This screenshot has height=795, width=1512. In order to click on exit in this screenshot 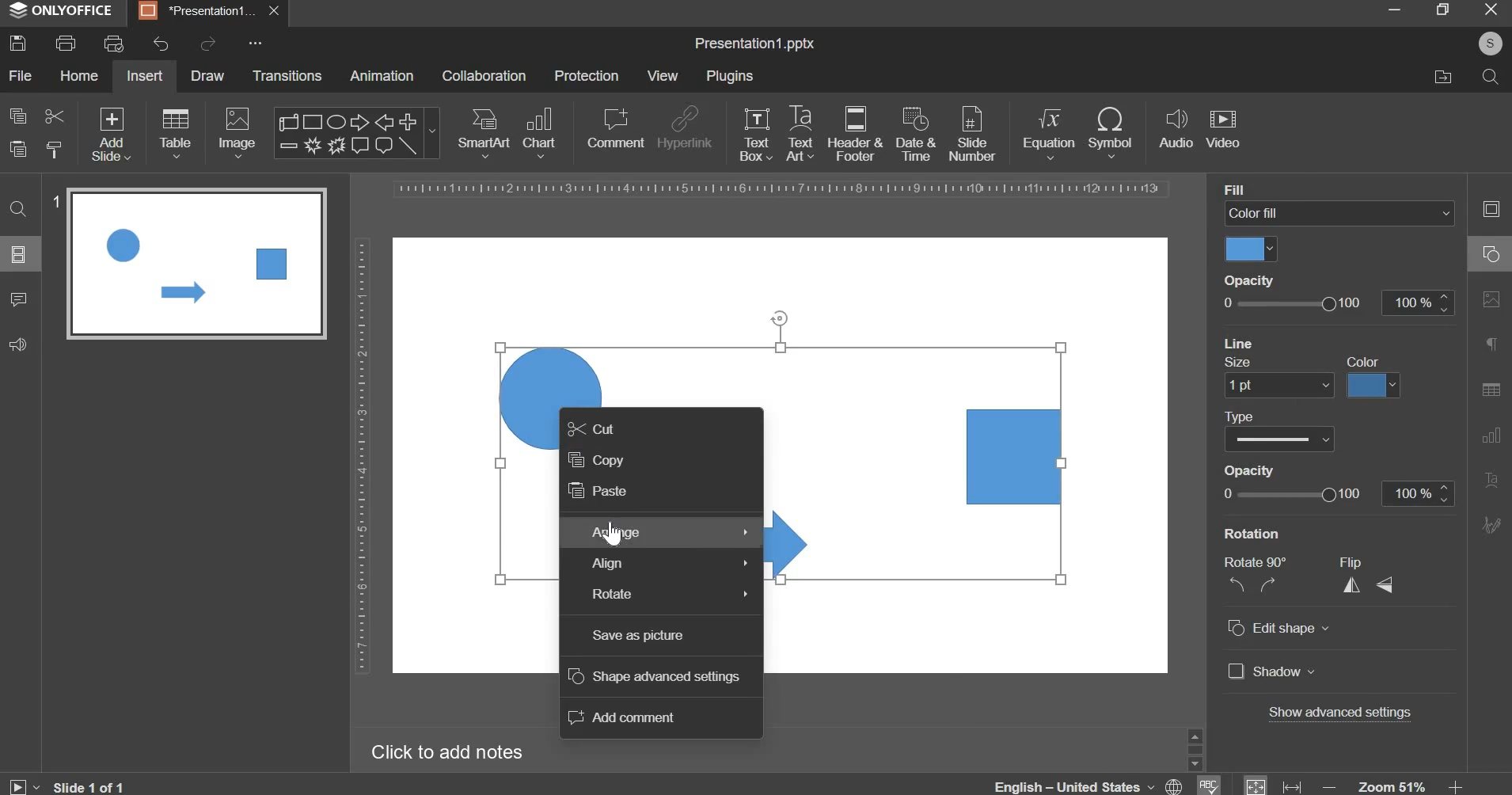, I will do `click(1491, 8)`.